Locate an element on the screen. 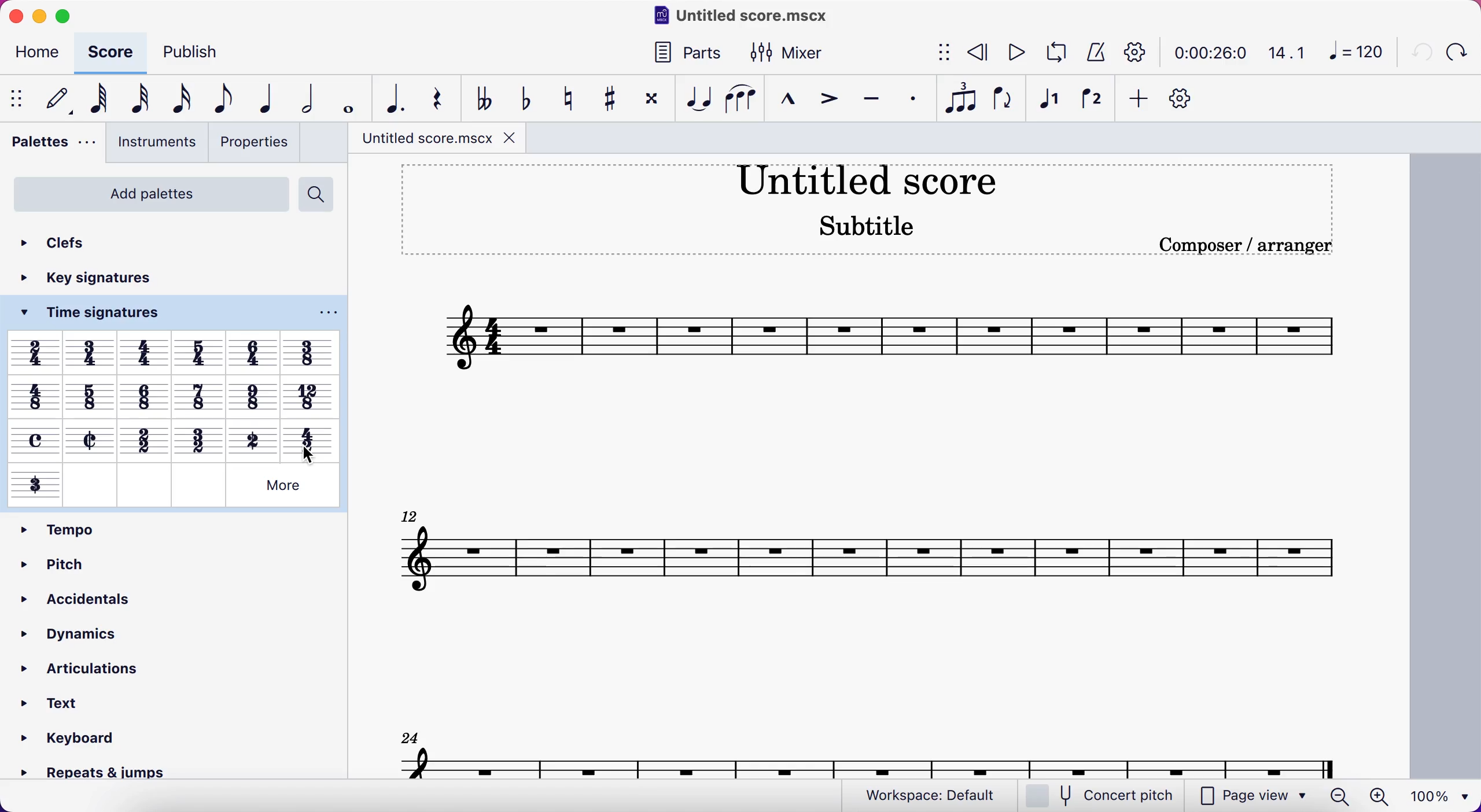  cursor is located at coordinates (307, 453).